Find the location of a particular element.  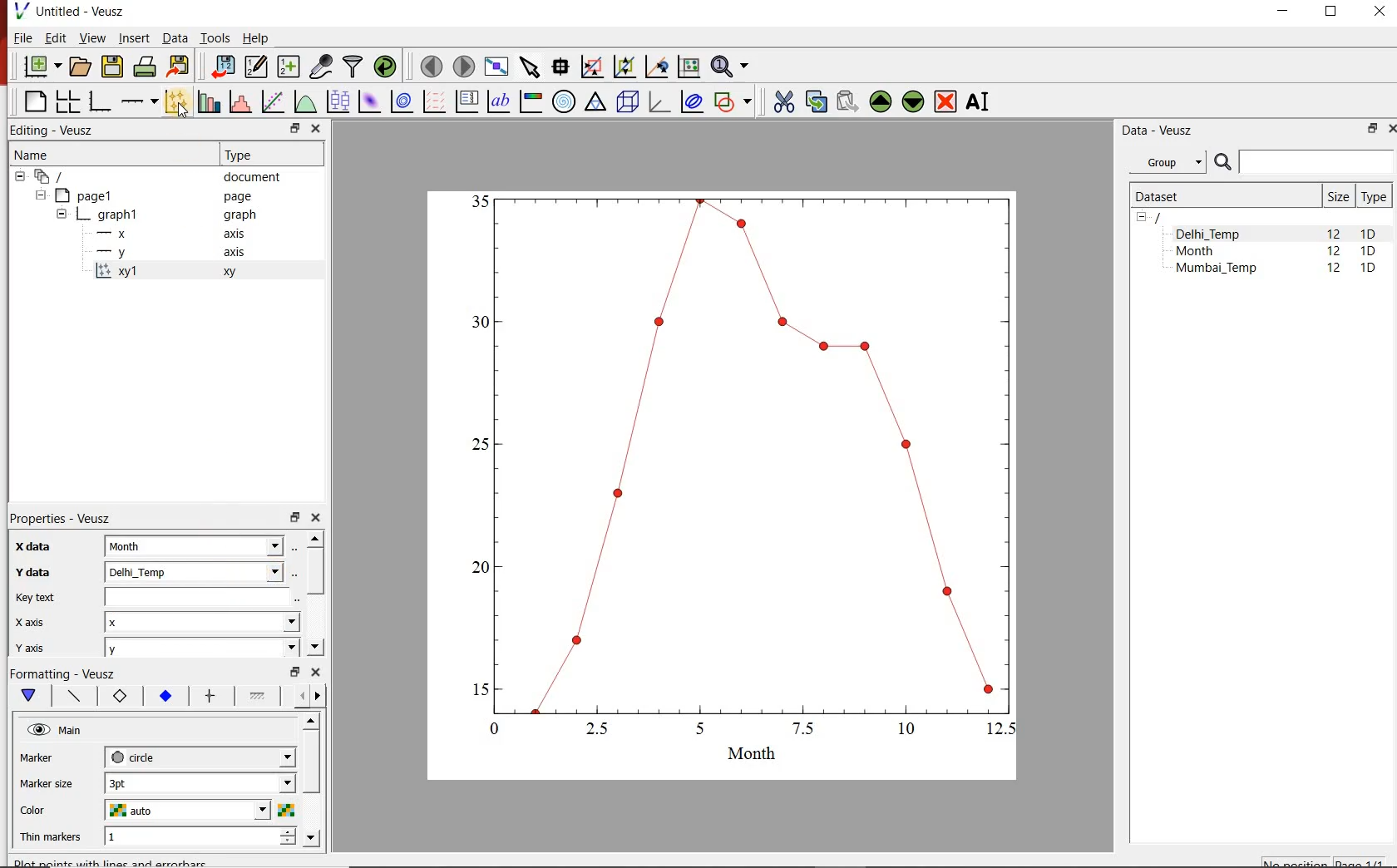

Axis line is located at coordinates (72, 696).